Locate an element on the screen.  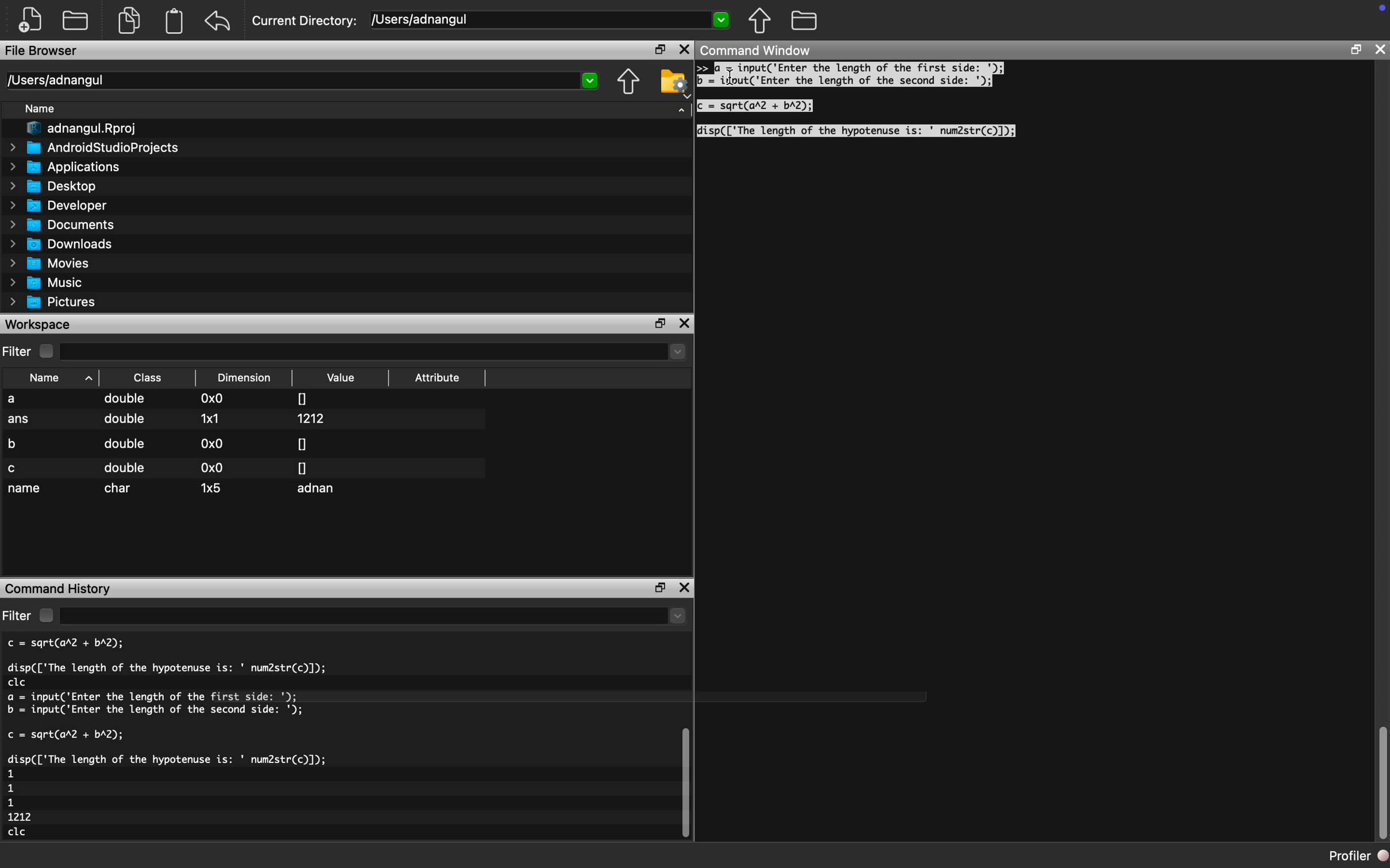
Users/adnangul 2 is located at coordinates (301, 81).